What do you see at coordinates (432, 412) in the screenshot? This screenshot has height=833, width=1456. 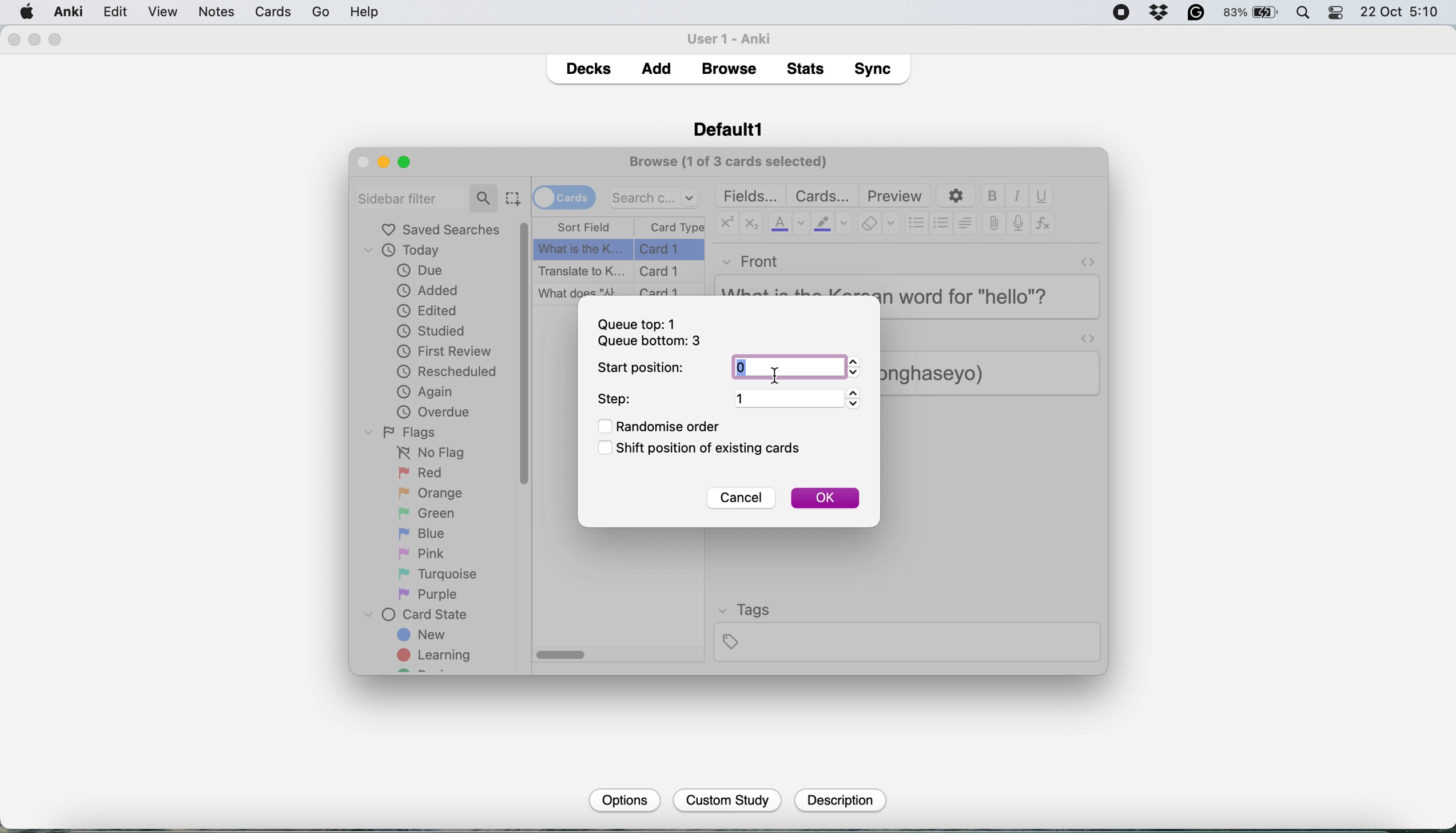 I see `overdue` at bounding box center [432, 412].